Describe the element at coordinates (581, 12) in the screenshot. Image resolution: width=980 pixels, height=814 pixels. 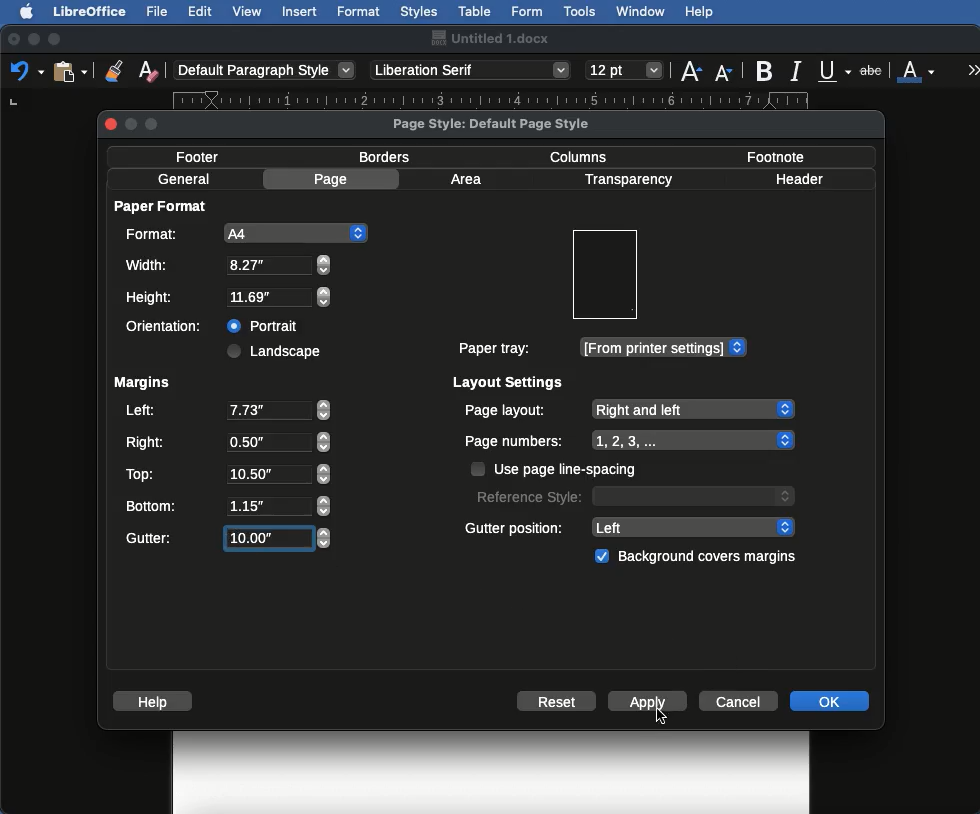
I see `Tools` at that location.